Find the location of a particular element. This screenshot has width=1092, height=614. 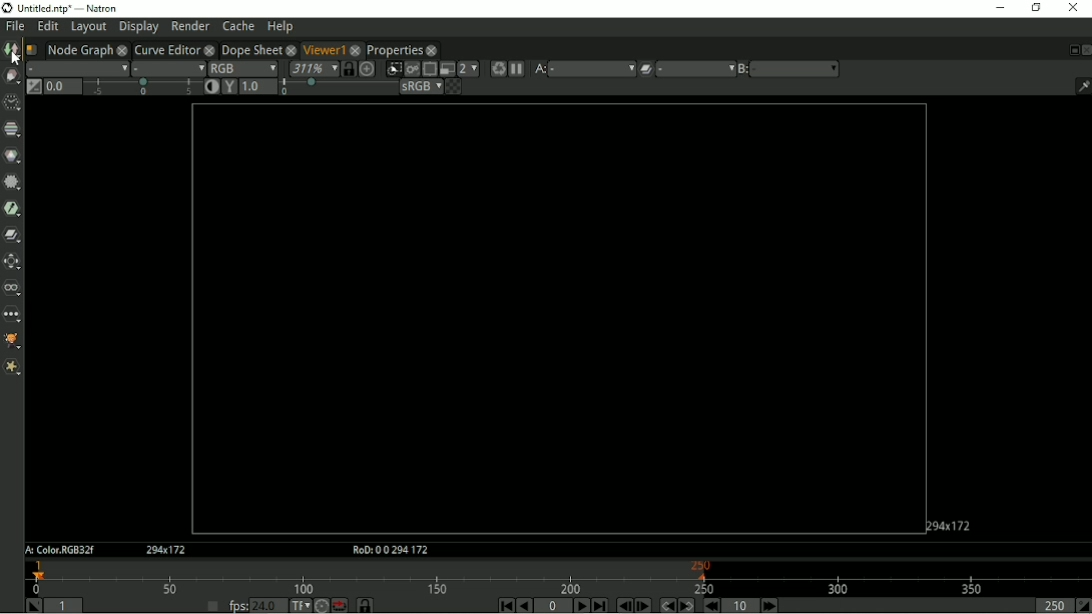

Checkerboard is located at coordinates (453, 87).